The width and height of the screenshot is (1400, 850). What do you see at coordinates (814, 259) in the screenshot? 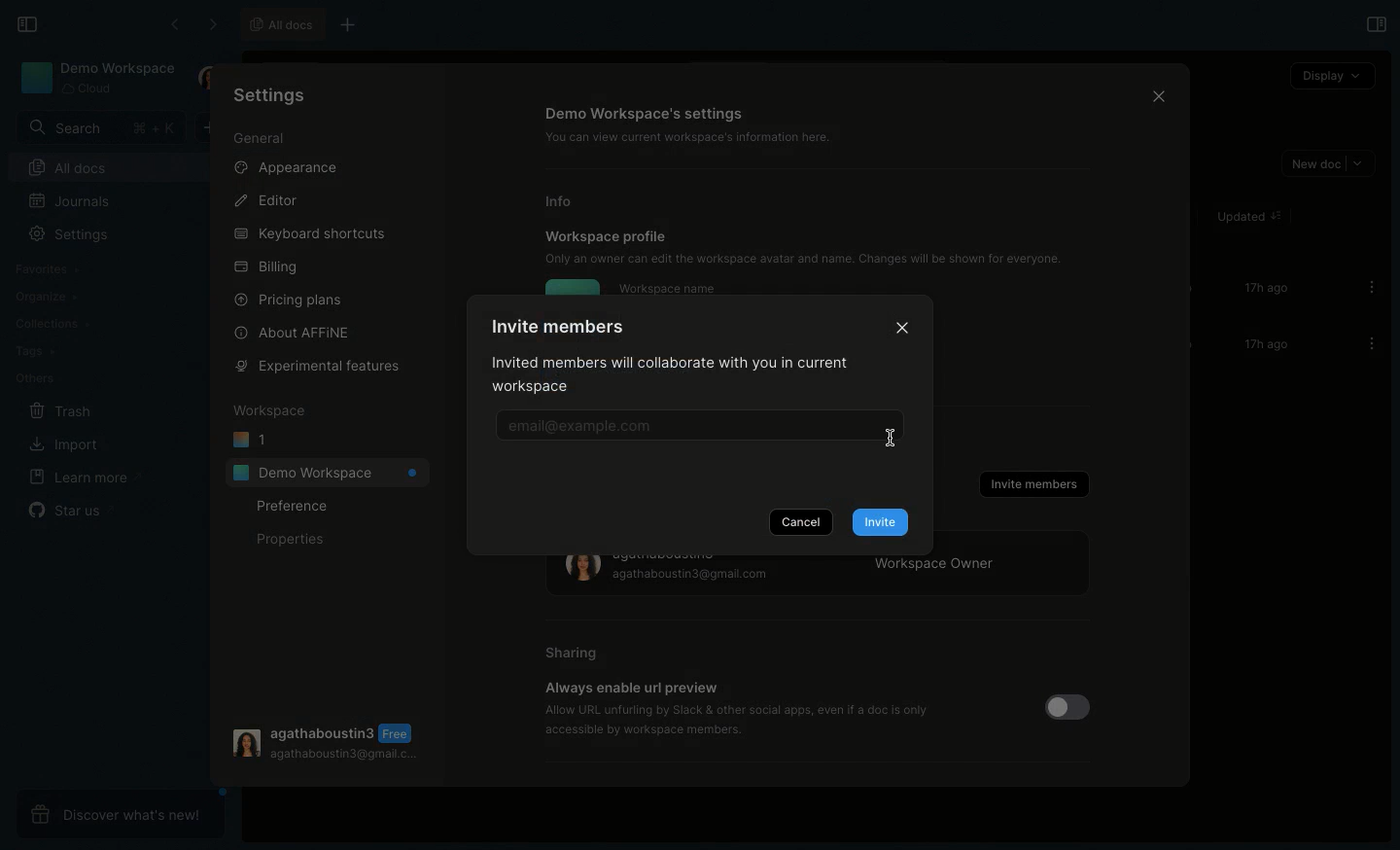
I see `Only an owner can edit the workspace avatar and name. Changes will be shown for everyone.` at bounding box center [814, 259].